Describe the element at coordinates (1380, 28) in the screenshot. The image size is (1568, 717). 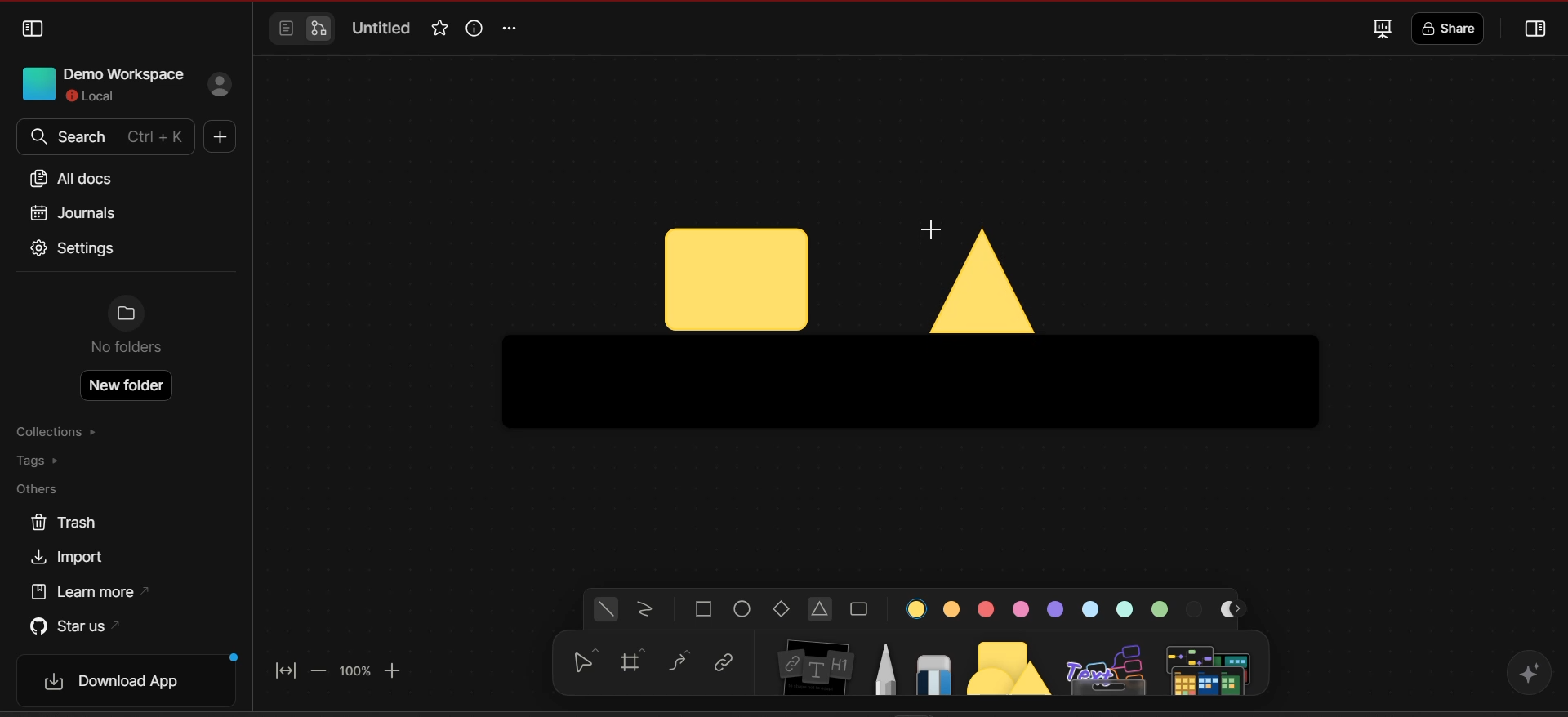
I see `fullscreen` at that location.